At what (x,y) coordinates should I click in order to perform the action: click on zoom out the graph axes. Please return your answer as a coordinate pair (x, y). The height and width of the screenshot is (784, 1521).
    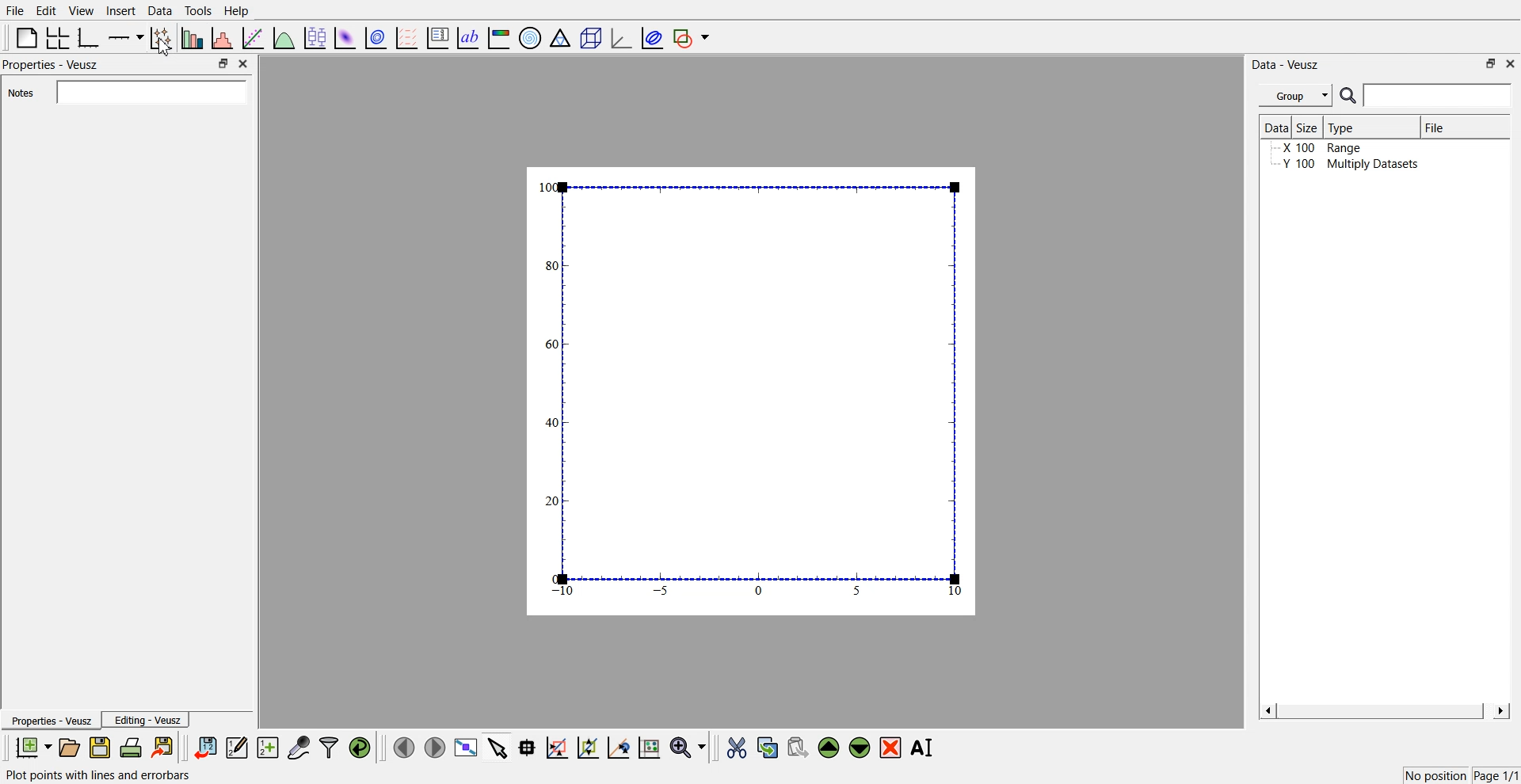
    Looking at the image, I should click on (586, 747).